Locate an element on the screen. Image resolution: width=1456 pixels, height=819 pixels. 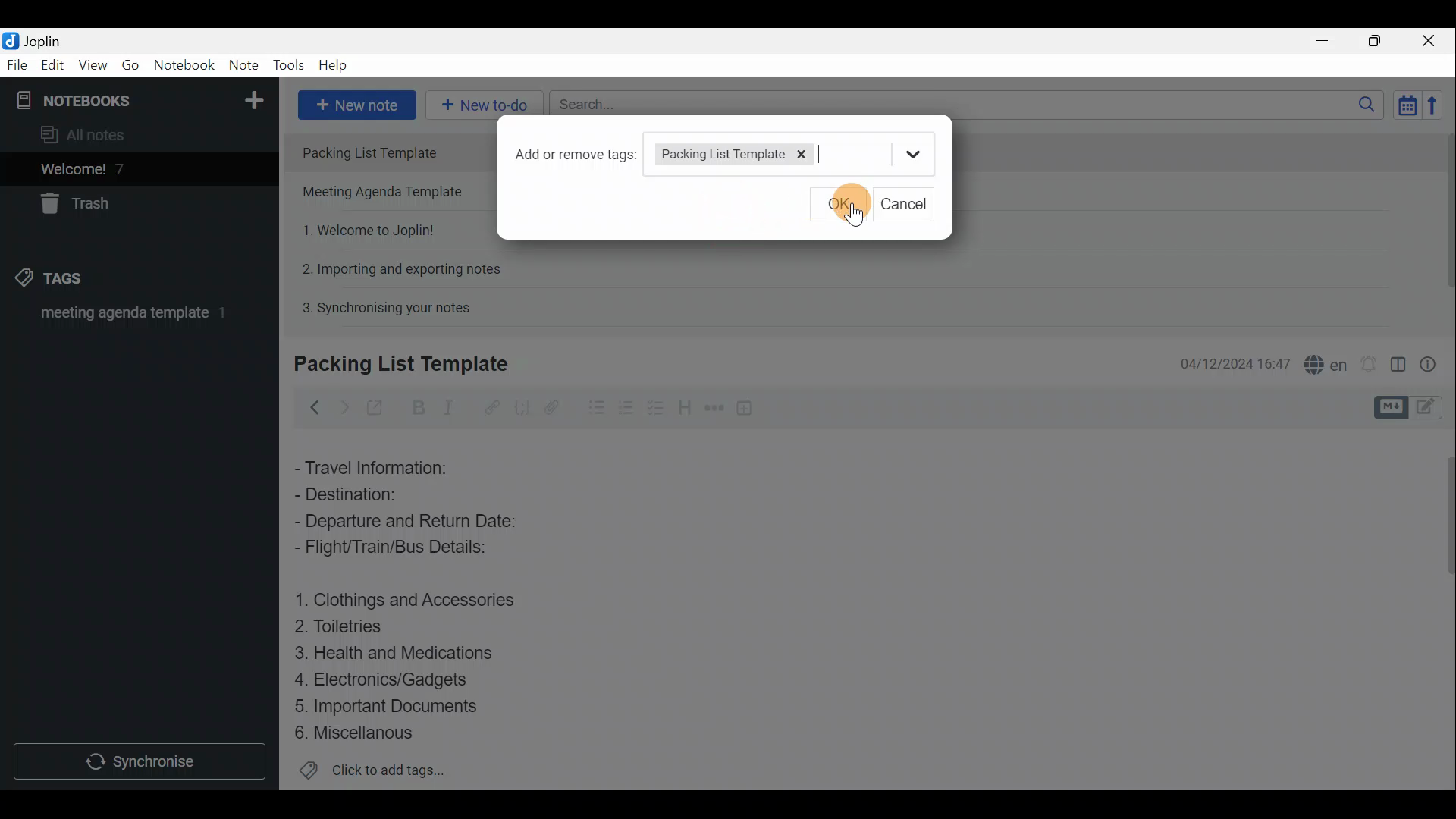
Numbered list is located at coordinates (657, 407).